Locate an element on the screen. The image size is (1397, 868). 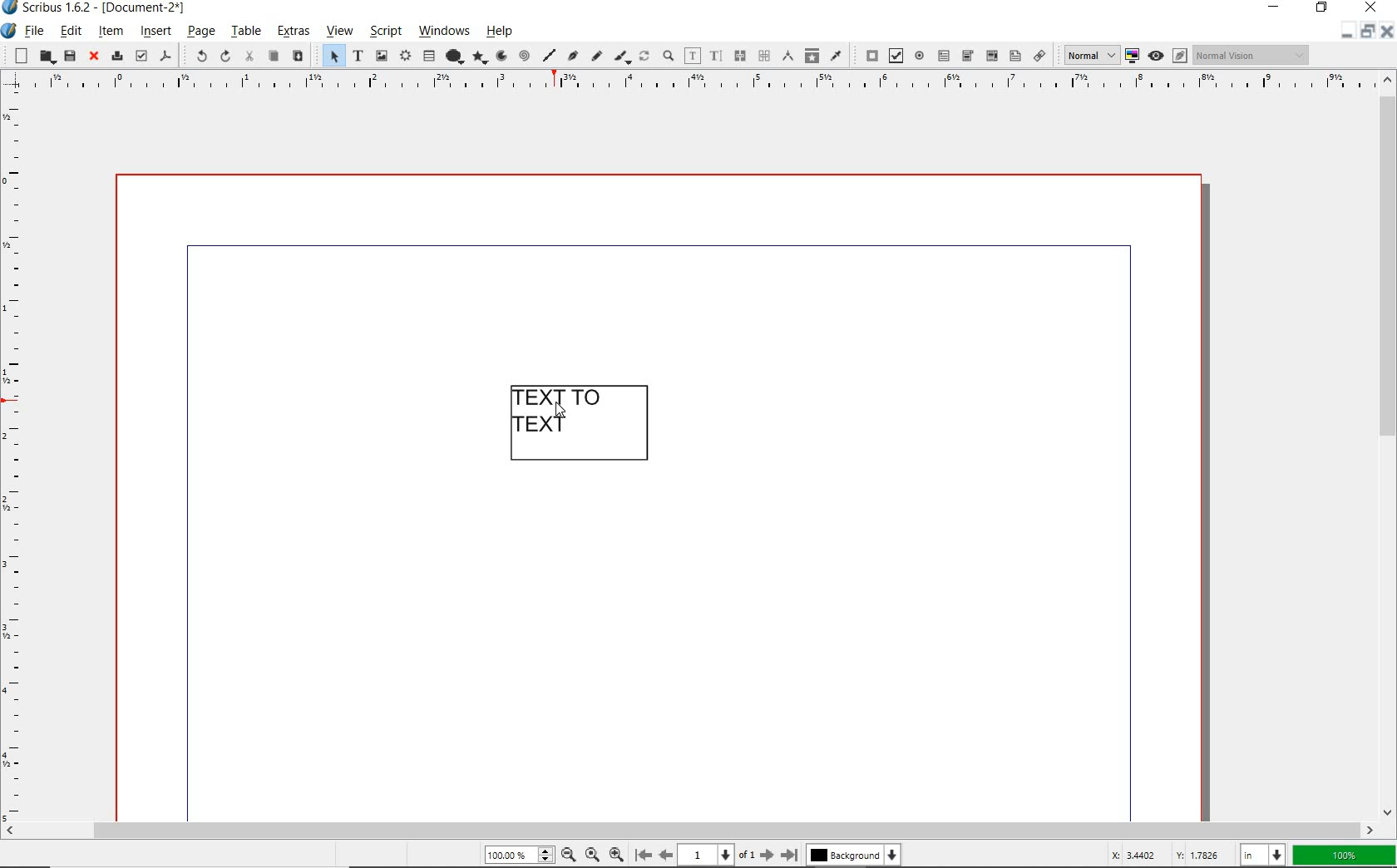
ruler is located at coordinates (17, 461).